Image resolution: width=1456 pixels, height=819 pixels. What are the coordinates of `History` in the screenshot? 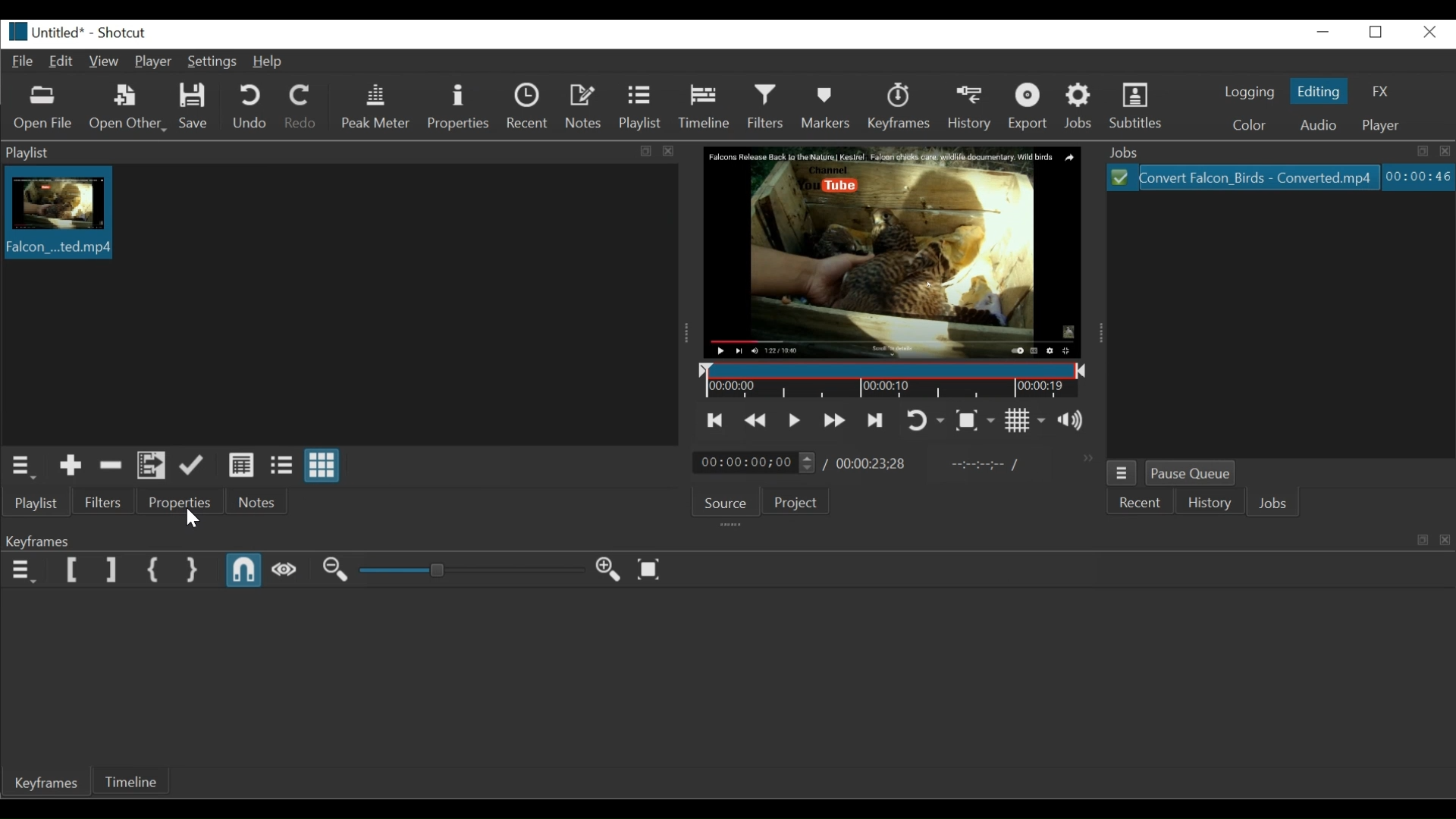 It's located at (972, 109).